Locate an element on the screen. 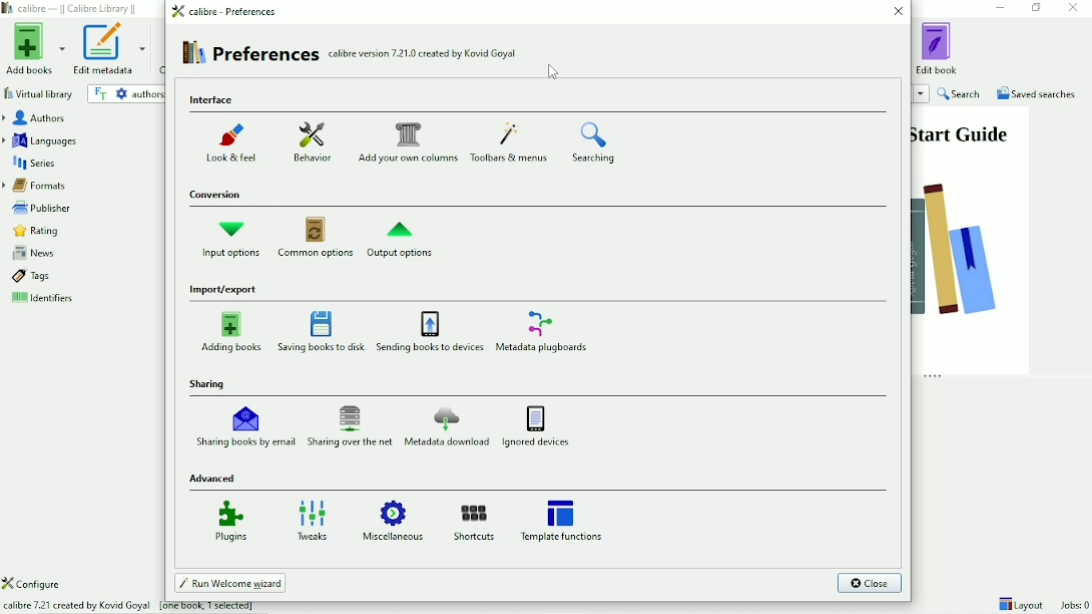 The image size is (1092, 614). authors:true is located at coordinates (147, 94).